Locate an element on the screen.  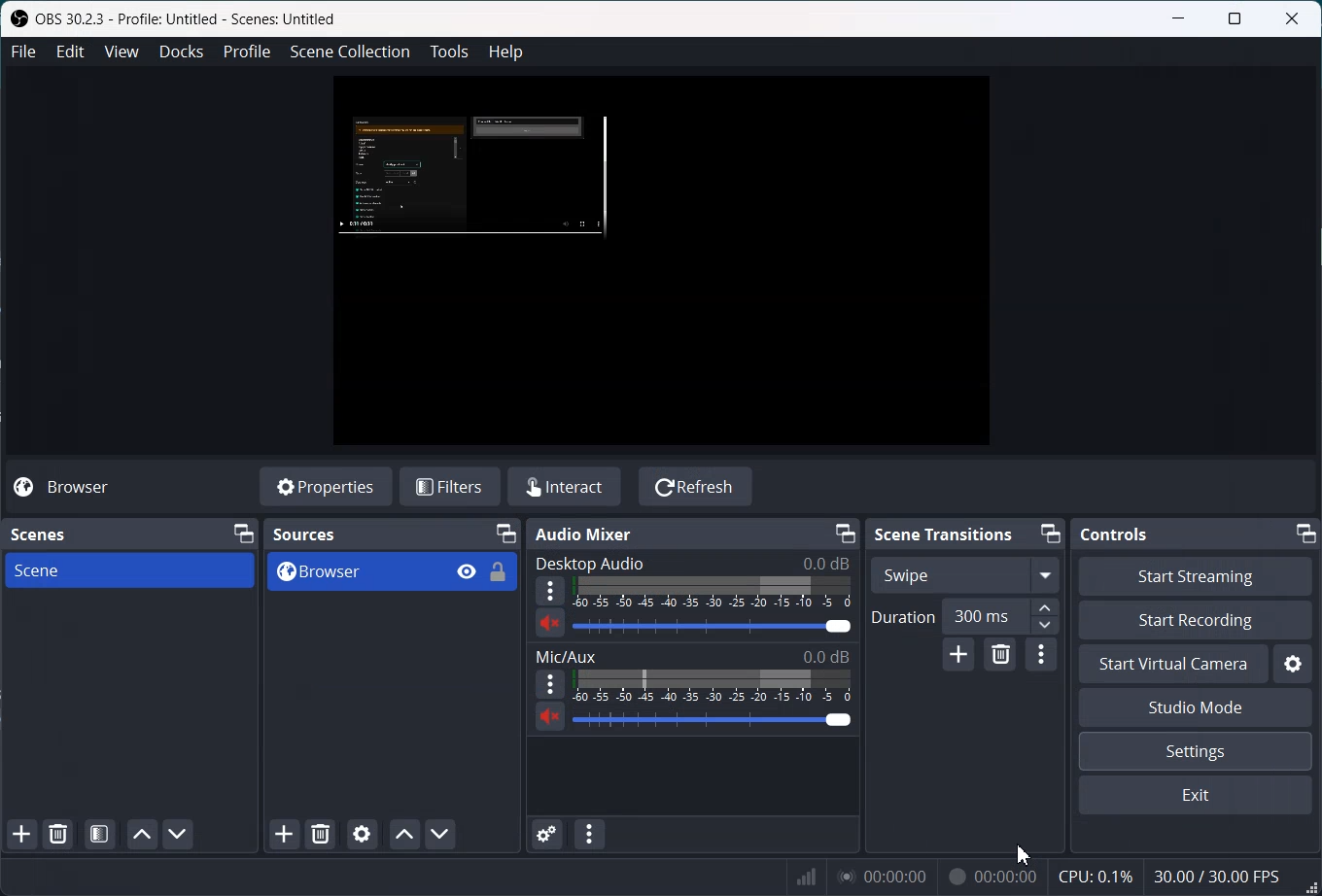
Properties is located at coordinates (326, 486).